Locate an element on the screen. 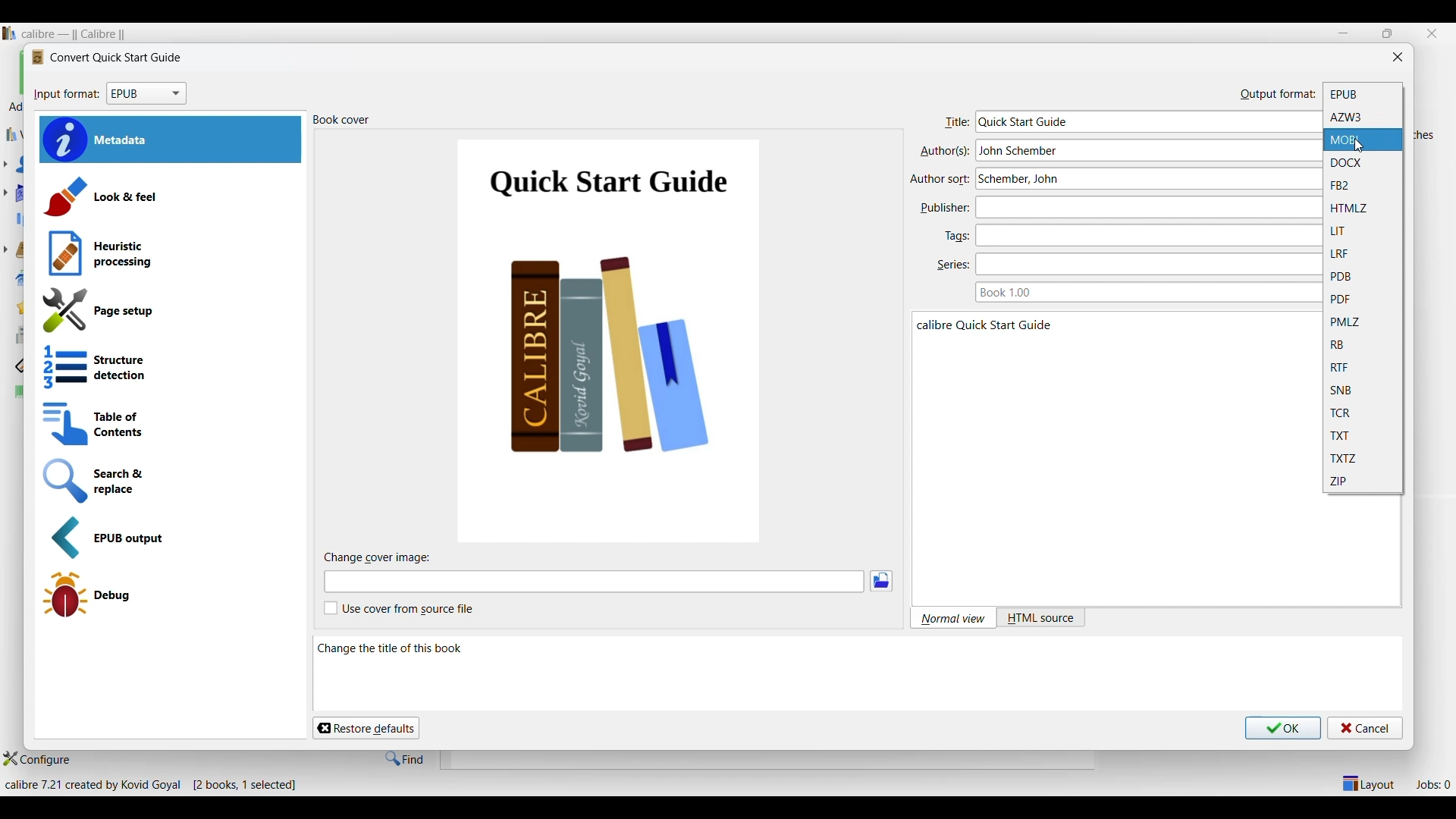 Image resolution: width=1456 pixels, height=819 pixels. TCR is located at coordinates (1363, 414).